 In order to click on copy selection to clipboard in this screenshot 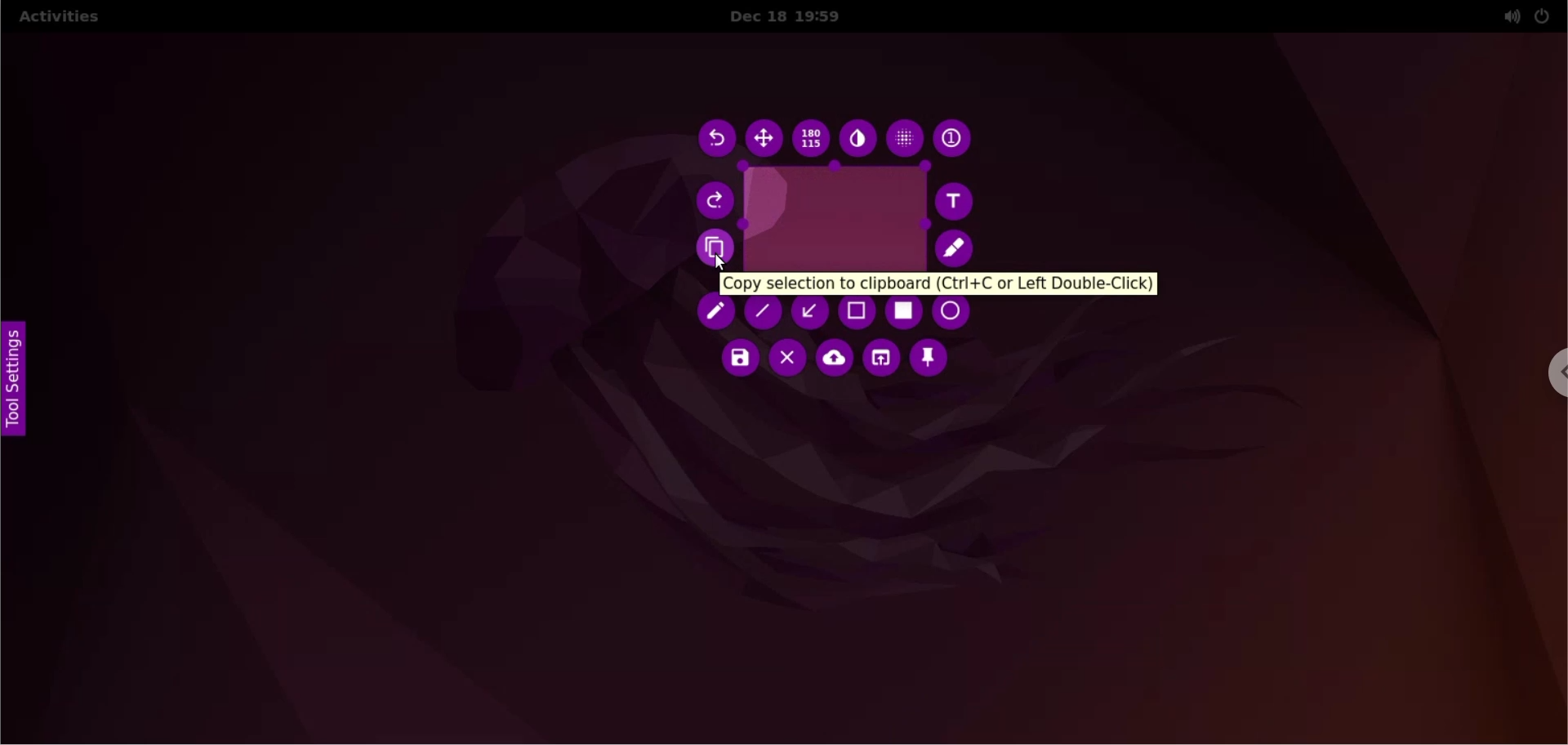, I will do `click(940, 285)`.